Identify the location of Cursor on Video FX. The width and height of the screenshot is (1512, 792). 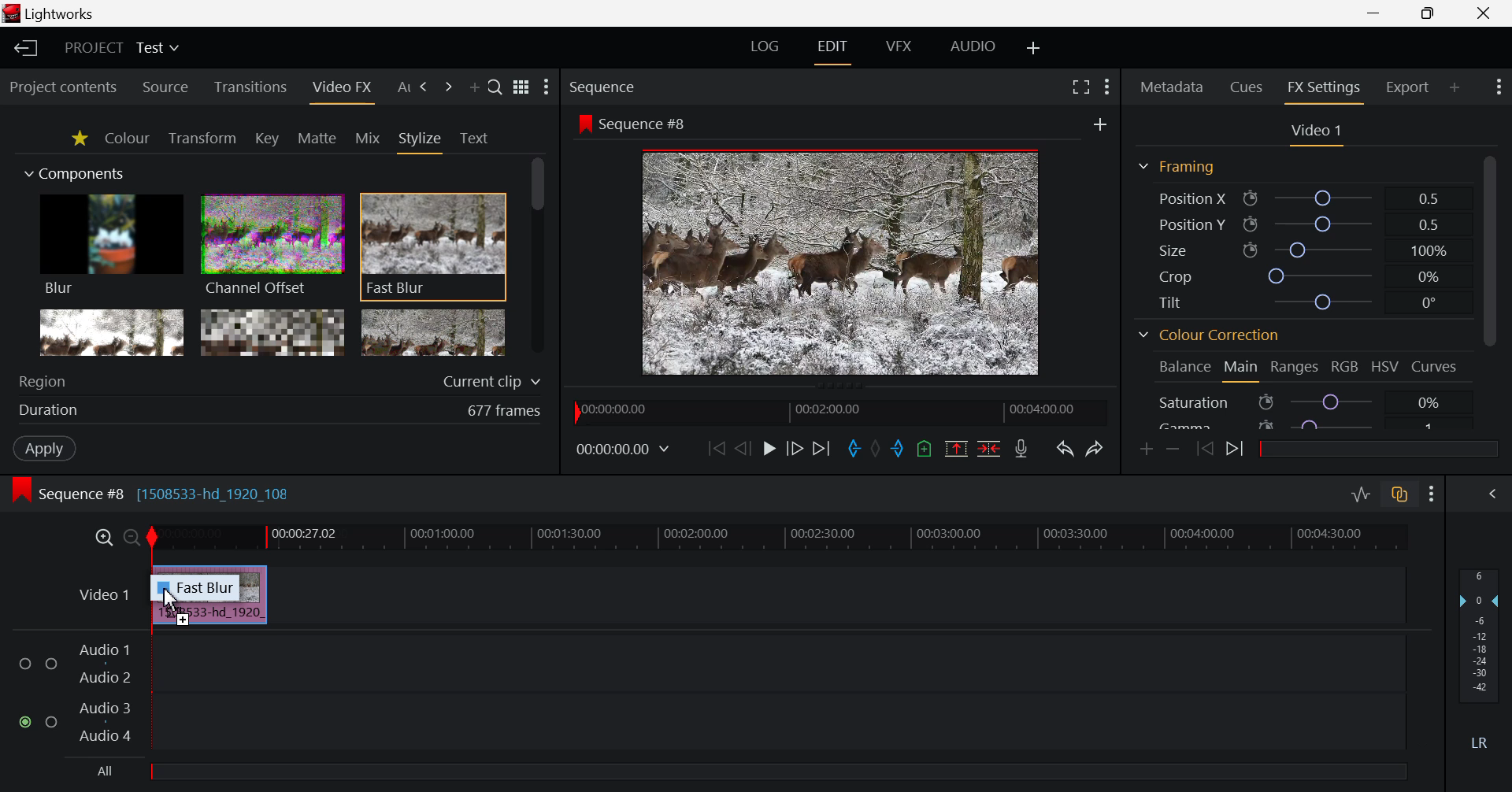
(350, 88).